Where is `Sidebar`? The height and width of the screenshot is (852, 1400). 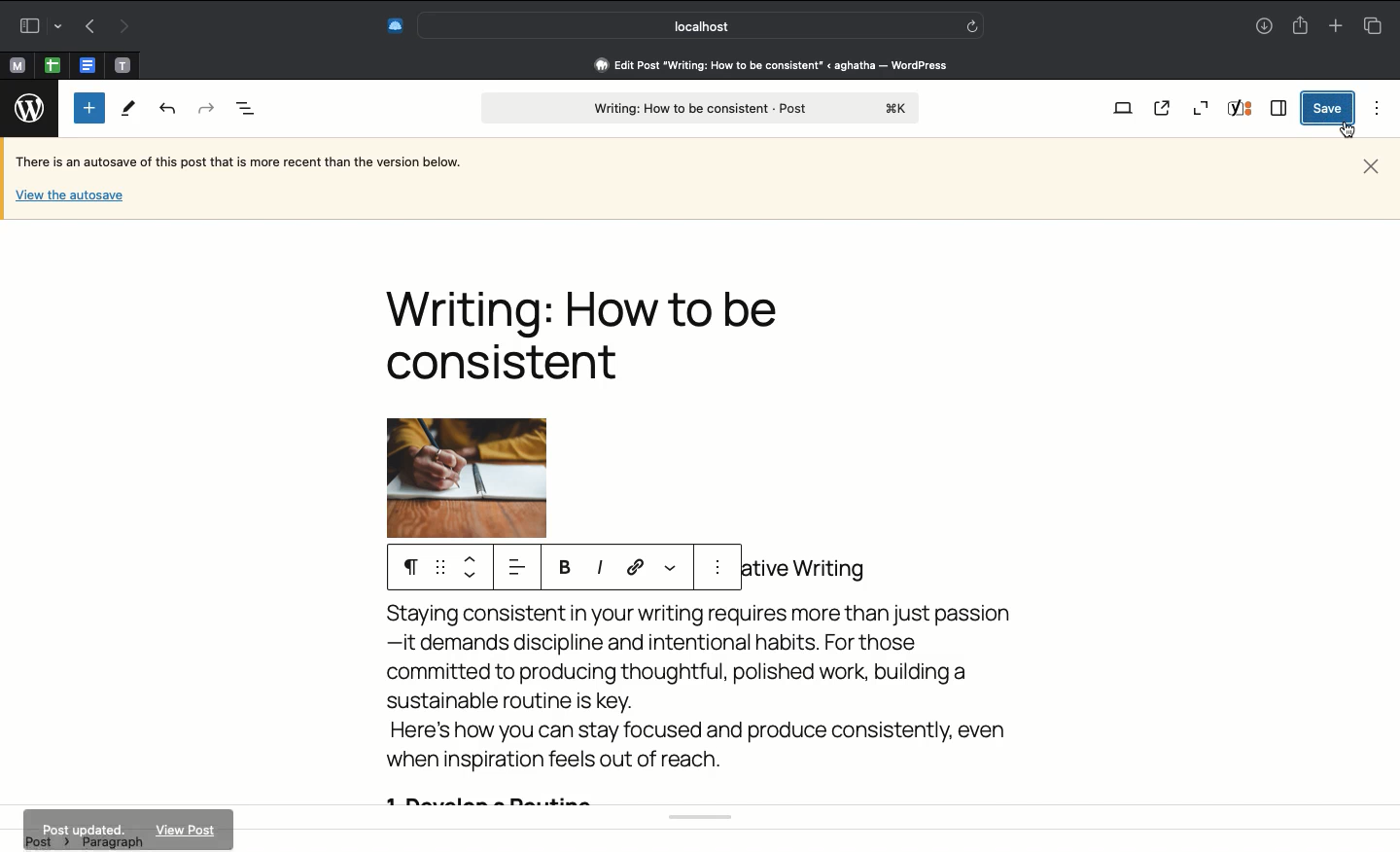 Sidebar is located at coordinates (38, 23).